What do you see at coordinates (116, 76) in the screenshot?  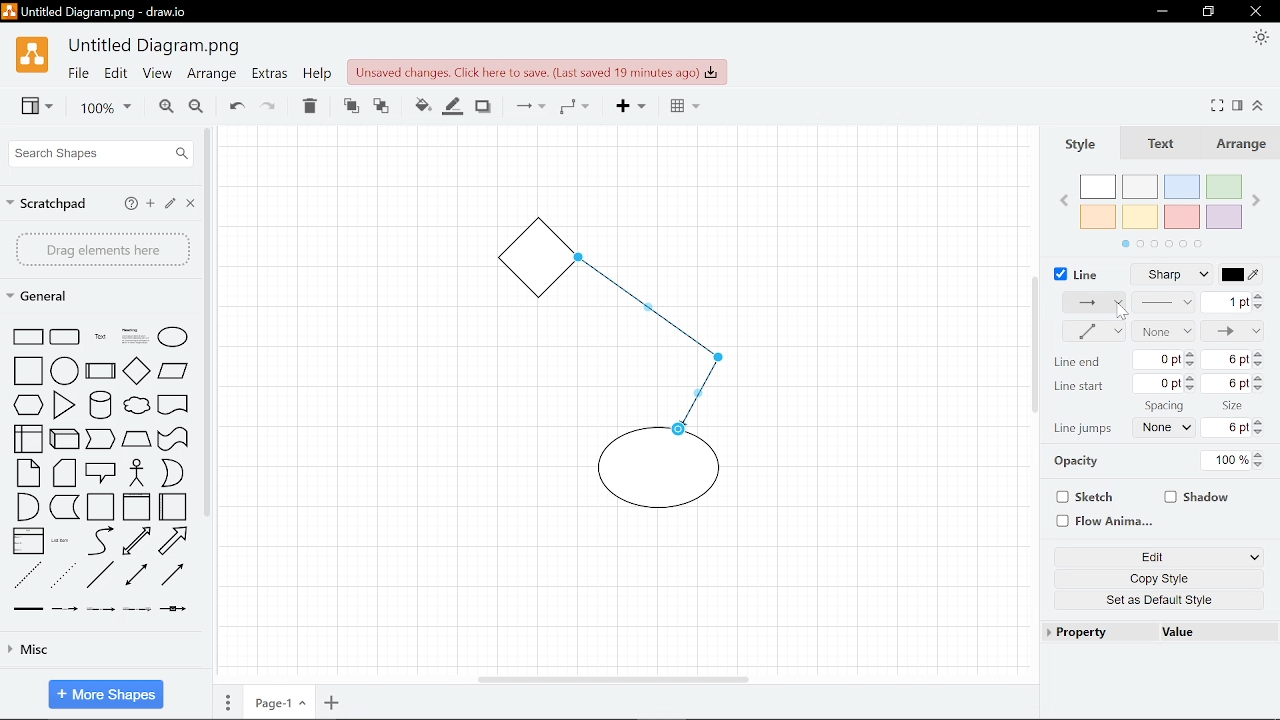 I see `Edit` at bounding box center [116, 76].